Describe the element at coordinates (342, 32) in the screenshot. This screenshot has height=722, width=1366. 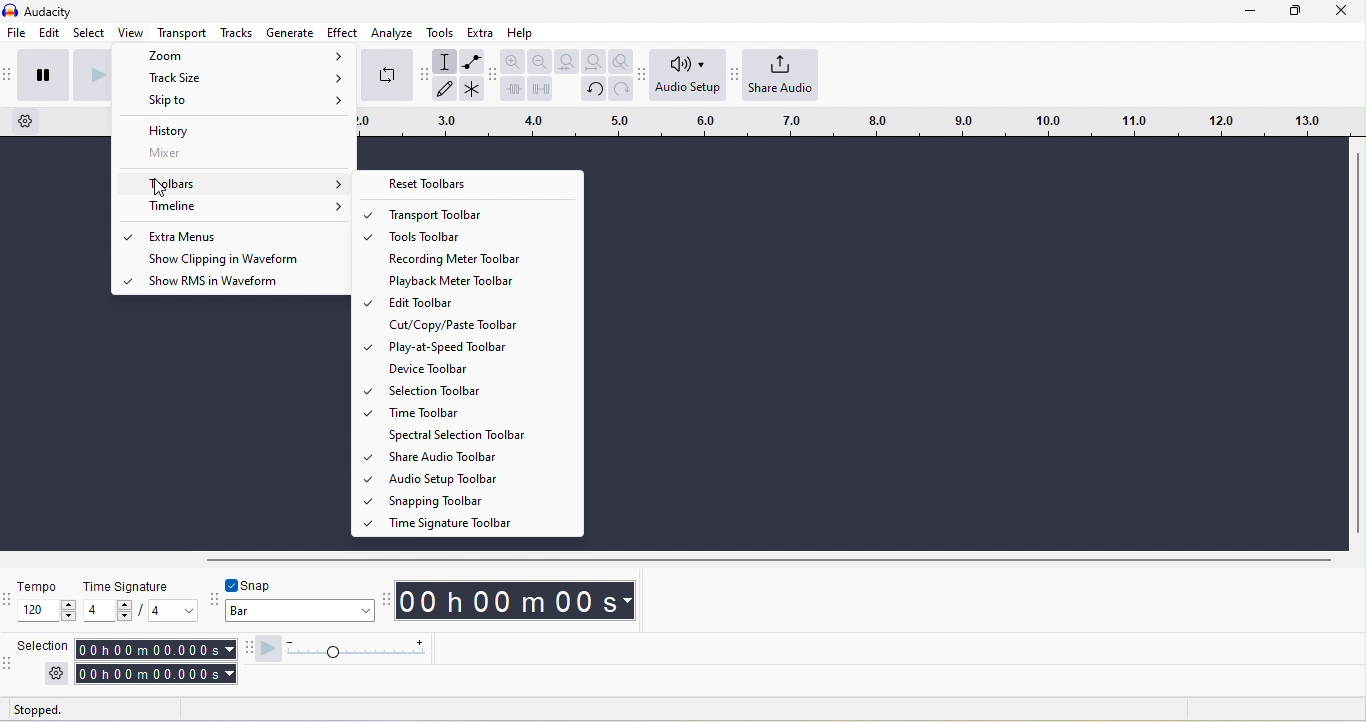
I see `effect` at that location.